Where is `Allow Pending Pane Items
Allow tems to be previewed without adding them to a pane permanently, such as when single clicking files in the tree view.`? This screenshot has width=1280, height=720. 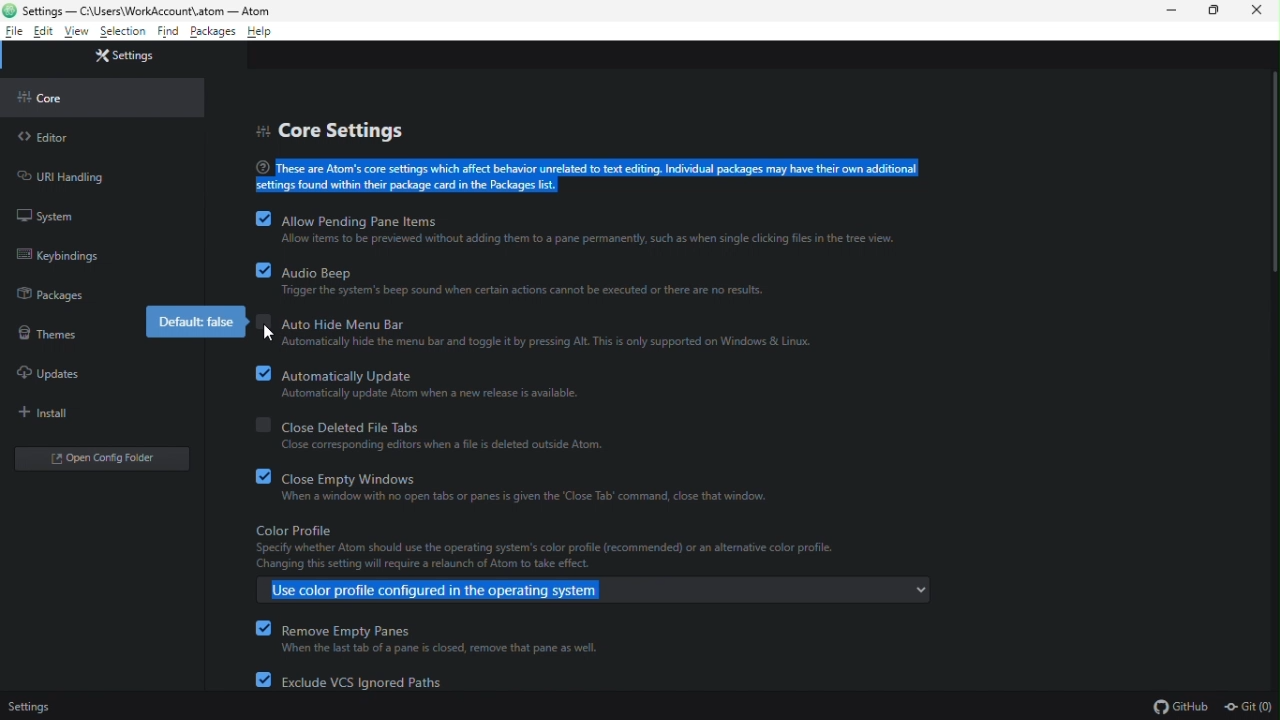 Allow Pending Pane Items
Allow tems to be previewed without adding them to a pane permanently, such as when single clicking files in the tree view. is located at coordinates (623, 229).